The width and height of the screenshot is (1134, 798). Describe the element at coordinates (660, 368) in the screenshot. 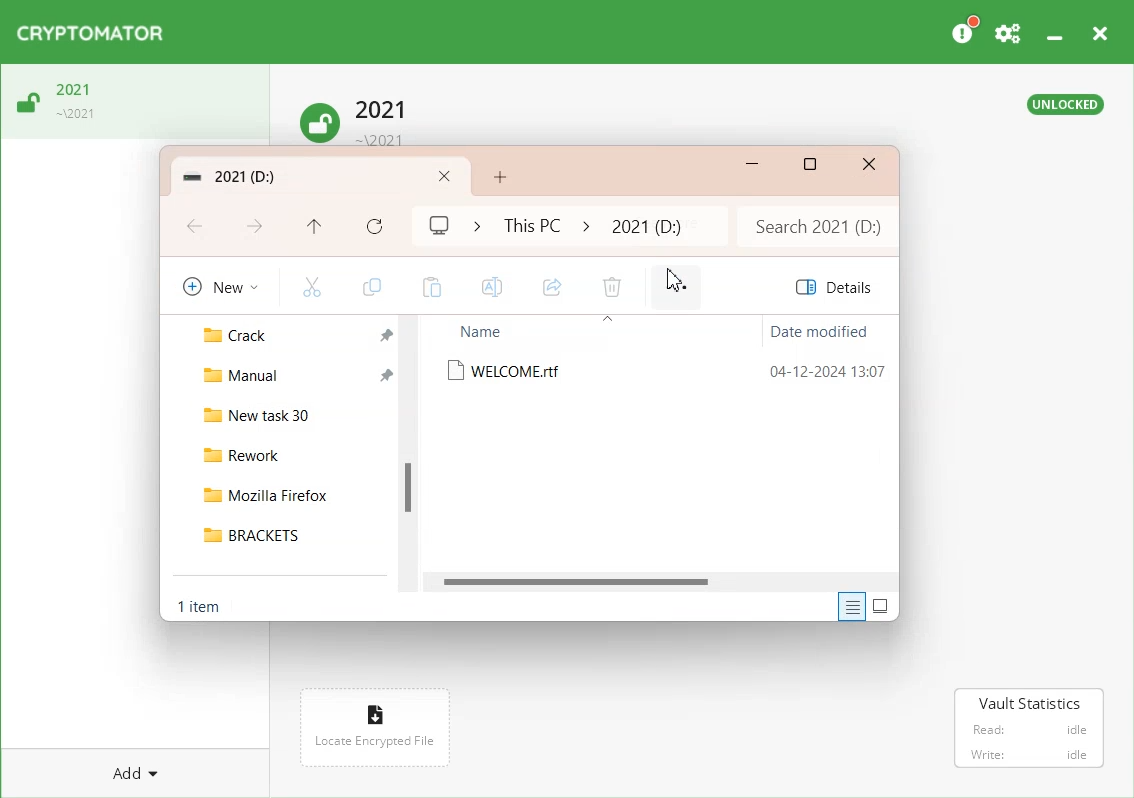

I see `WELCOME.rtf` at that location.